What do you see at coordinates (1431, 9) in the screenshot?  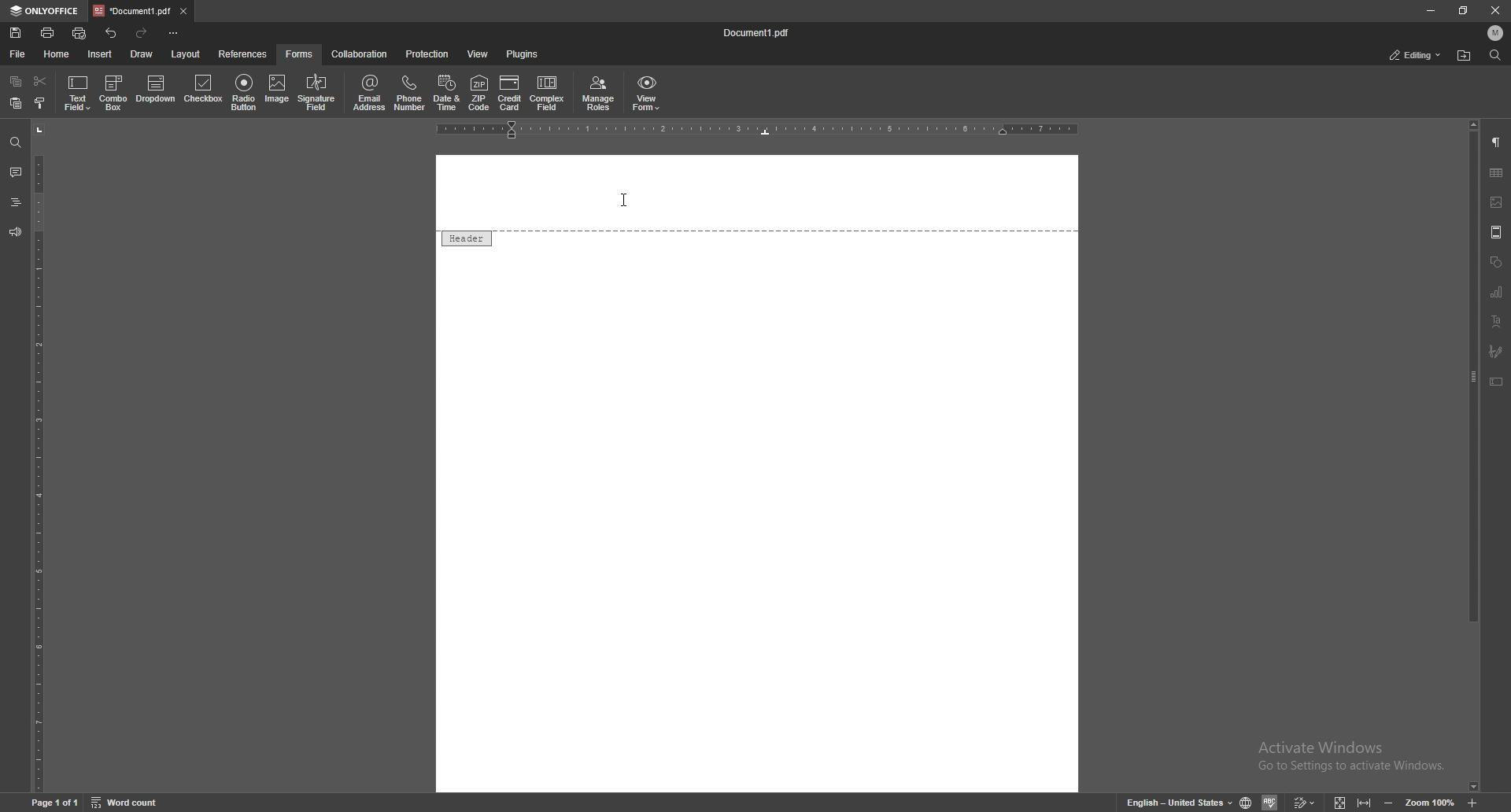 I see `minimize` at bounding box center [1431, 9].